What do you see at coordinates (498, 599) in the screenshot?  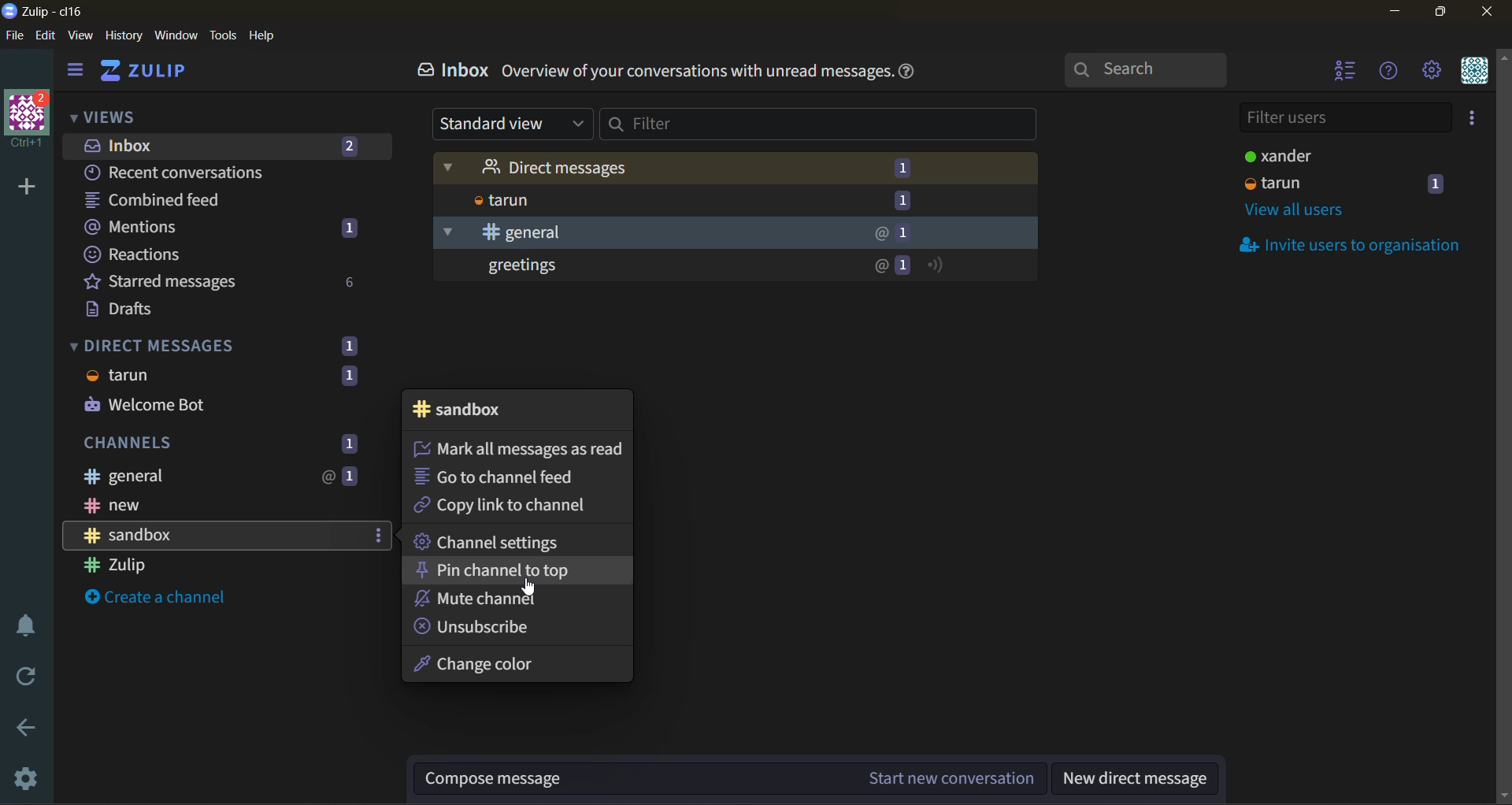 I see `mute channel` at bounding box center [498, 599].